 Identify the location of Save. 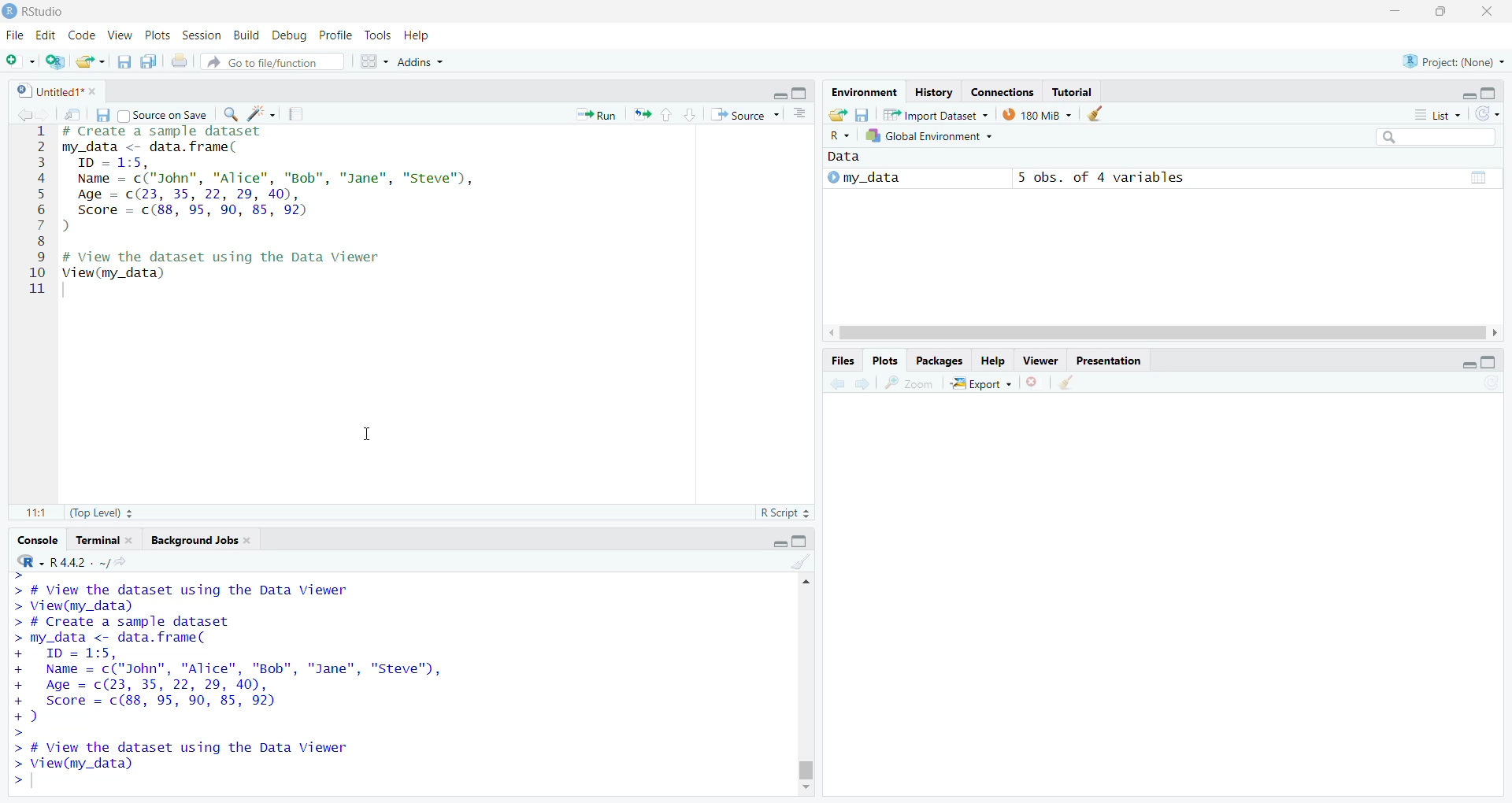
(104, 113).